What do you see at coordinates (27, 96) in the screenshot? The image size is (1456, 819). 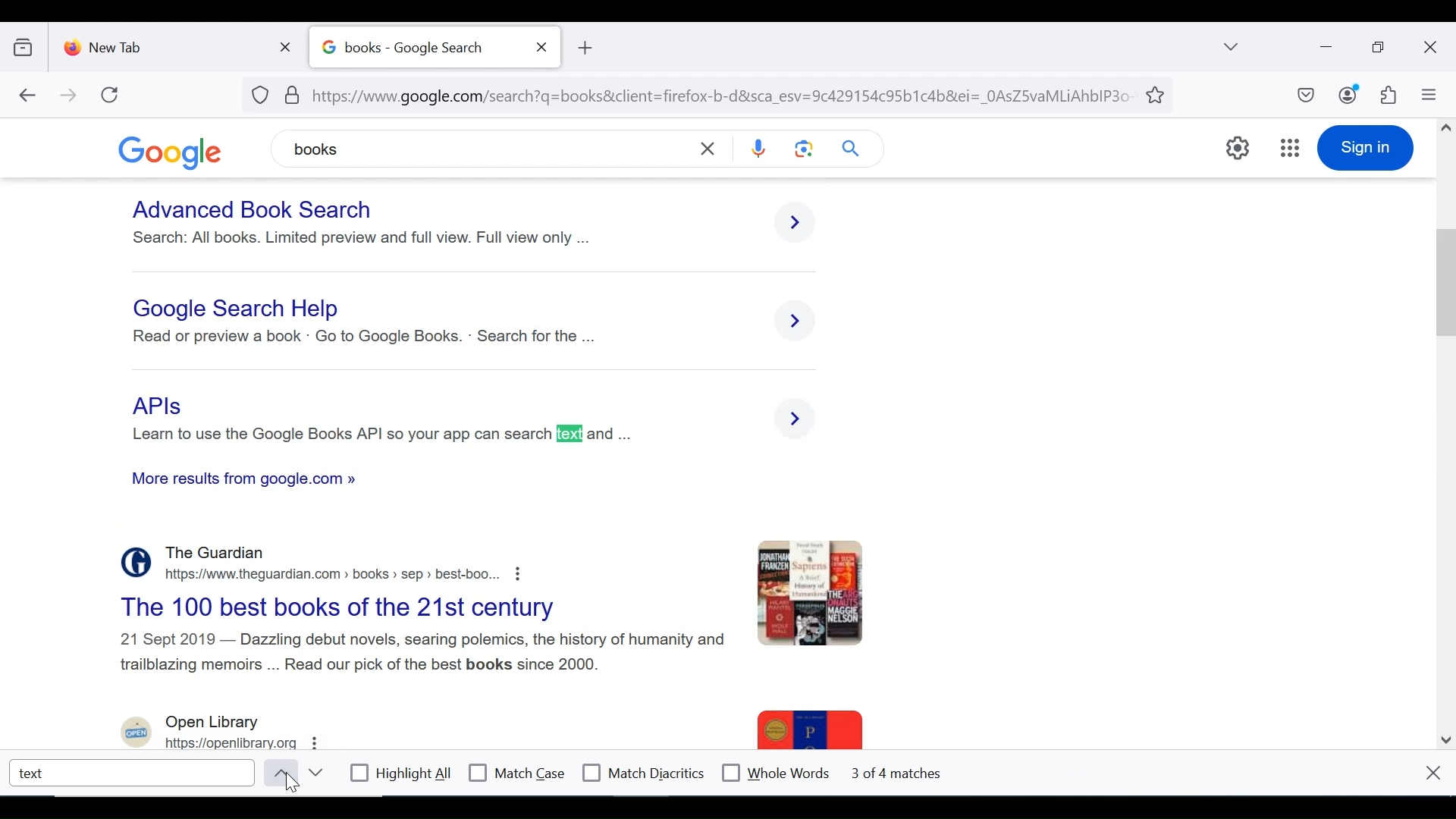 I see `back` at bounding box center [27, 96].